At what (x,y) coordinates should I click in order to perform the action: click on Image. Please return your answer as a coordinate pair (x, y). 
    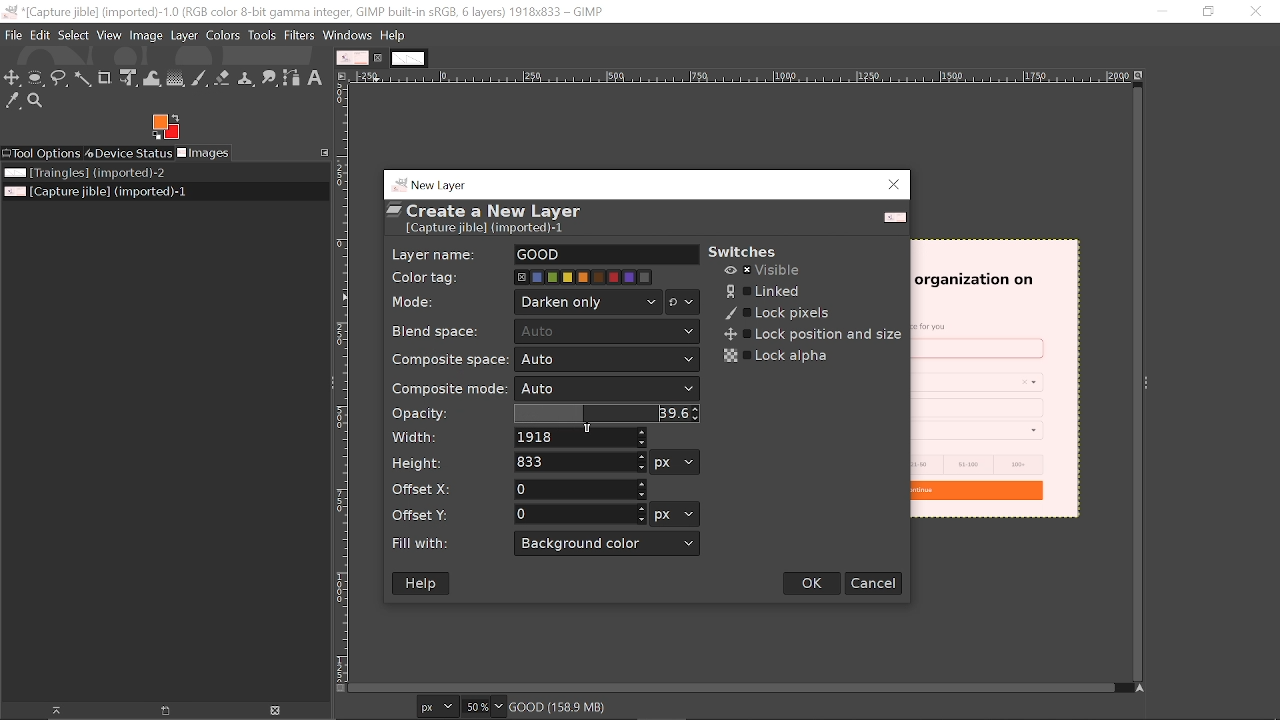
    Looking at the image, I should click on (147, 35).